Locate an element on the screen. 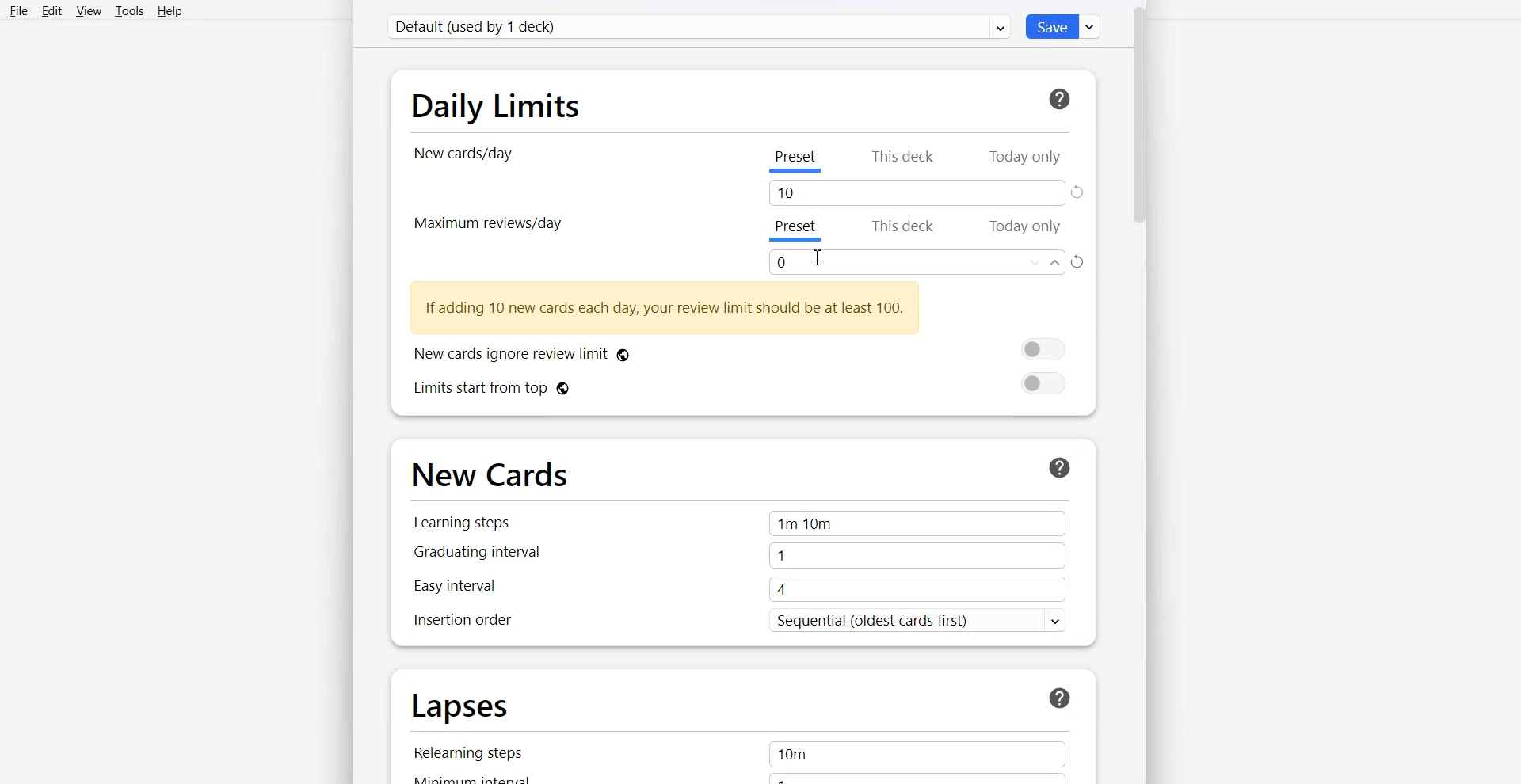 Image resolution: width=1521 pixels, height=784 pixels. Help is located at coordinates (1056, 100).